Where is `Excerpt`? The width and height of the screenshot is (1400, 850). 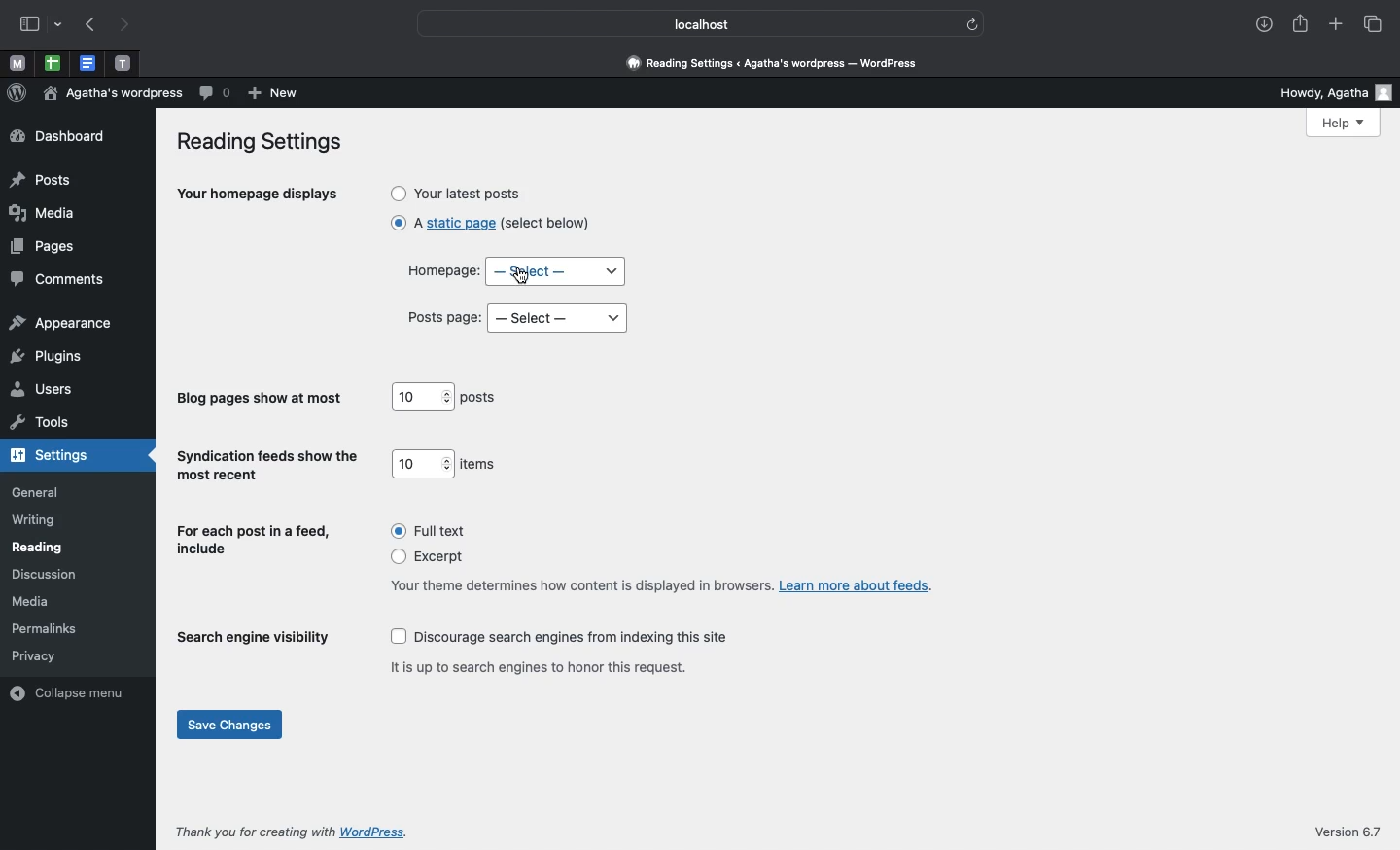 Excerpt is located at coordinates (435, 558).